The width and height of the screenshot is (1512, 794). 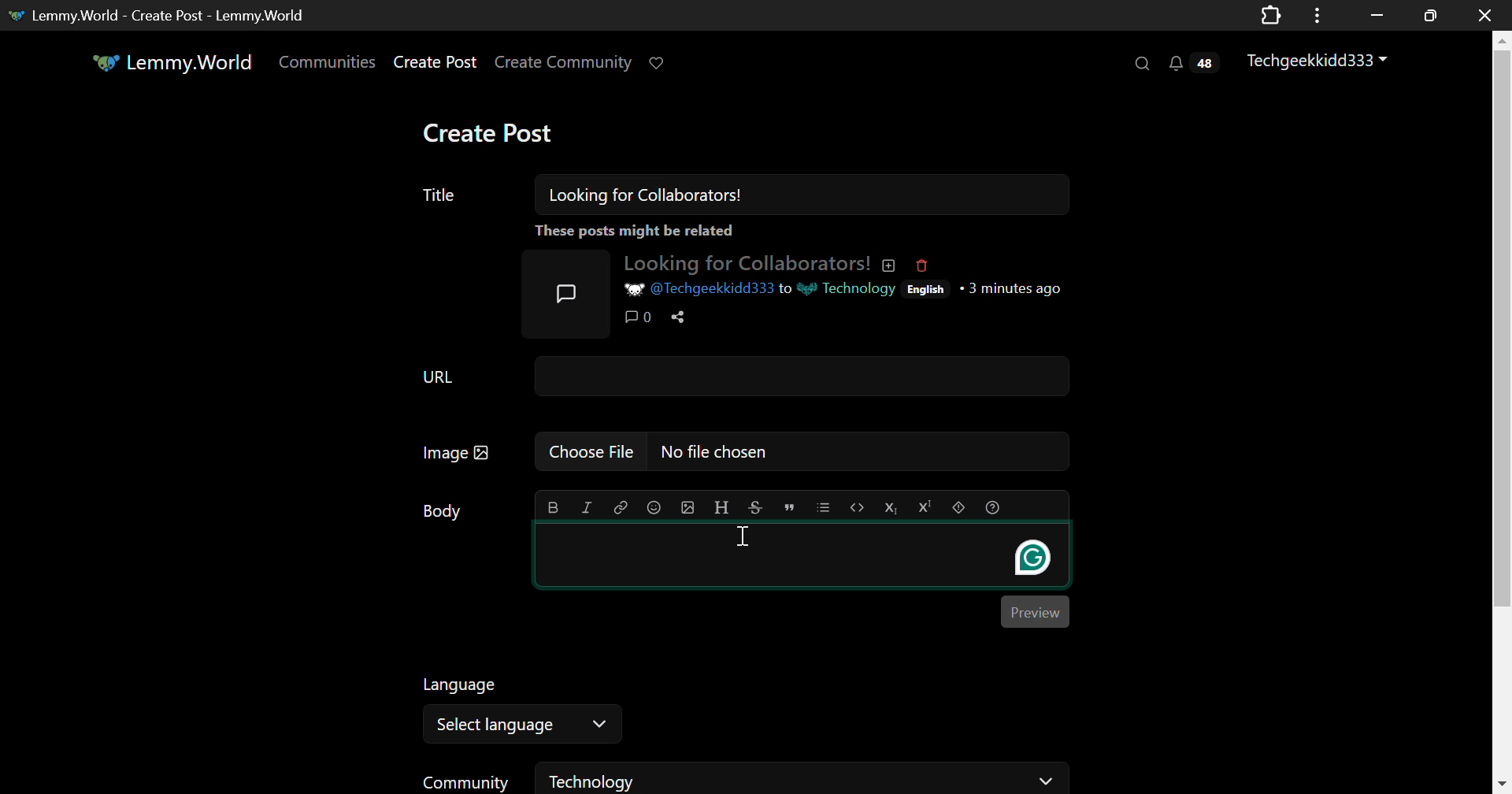 What do you see at coordinates (622, 508) in the screenshot?
I see `link` at bounding box center [622, 508].